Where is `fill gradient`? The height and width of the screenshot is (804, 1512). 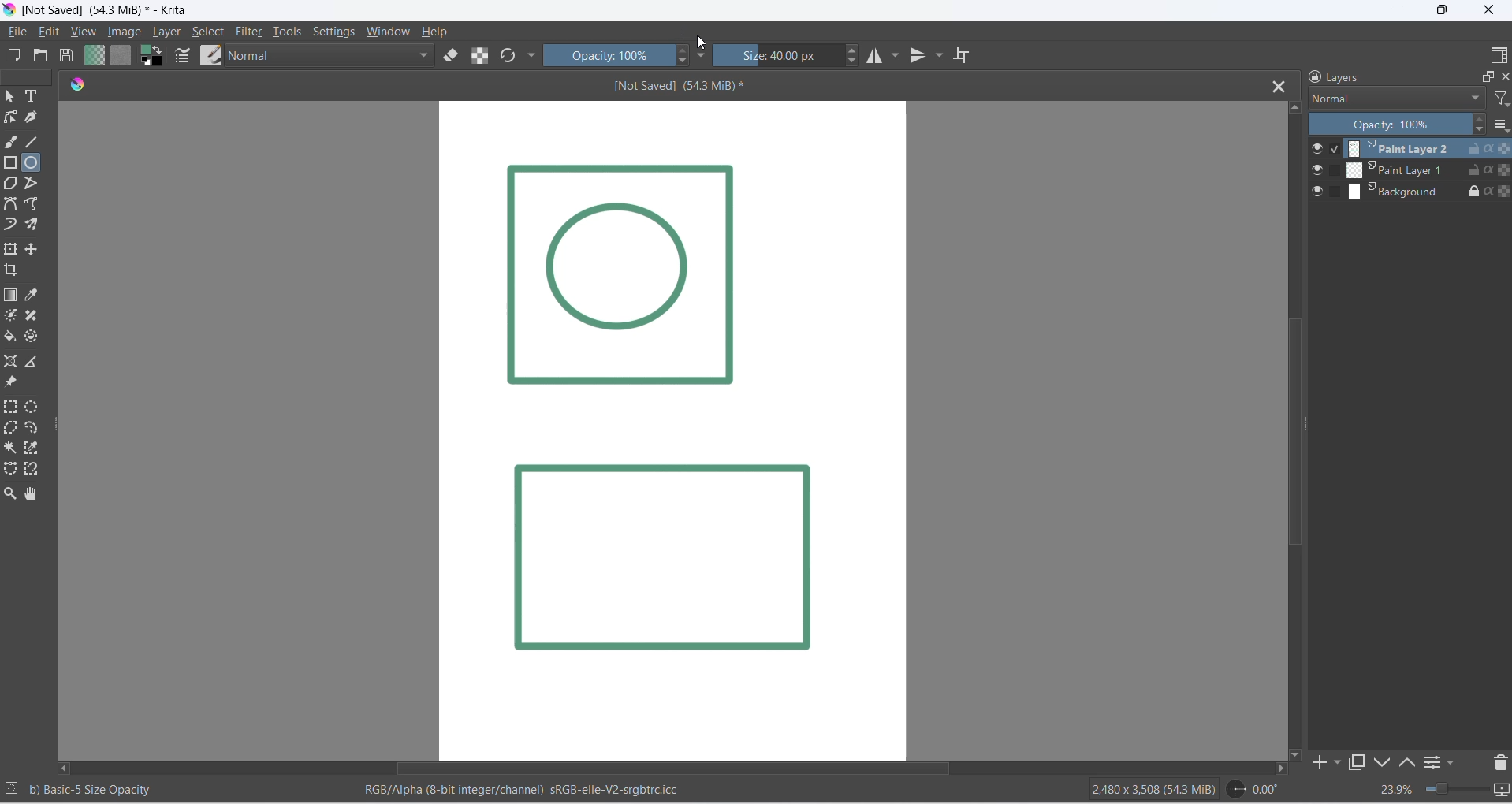
fill gradient is located at coordinates (95, 57).